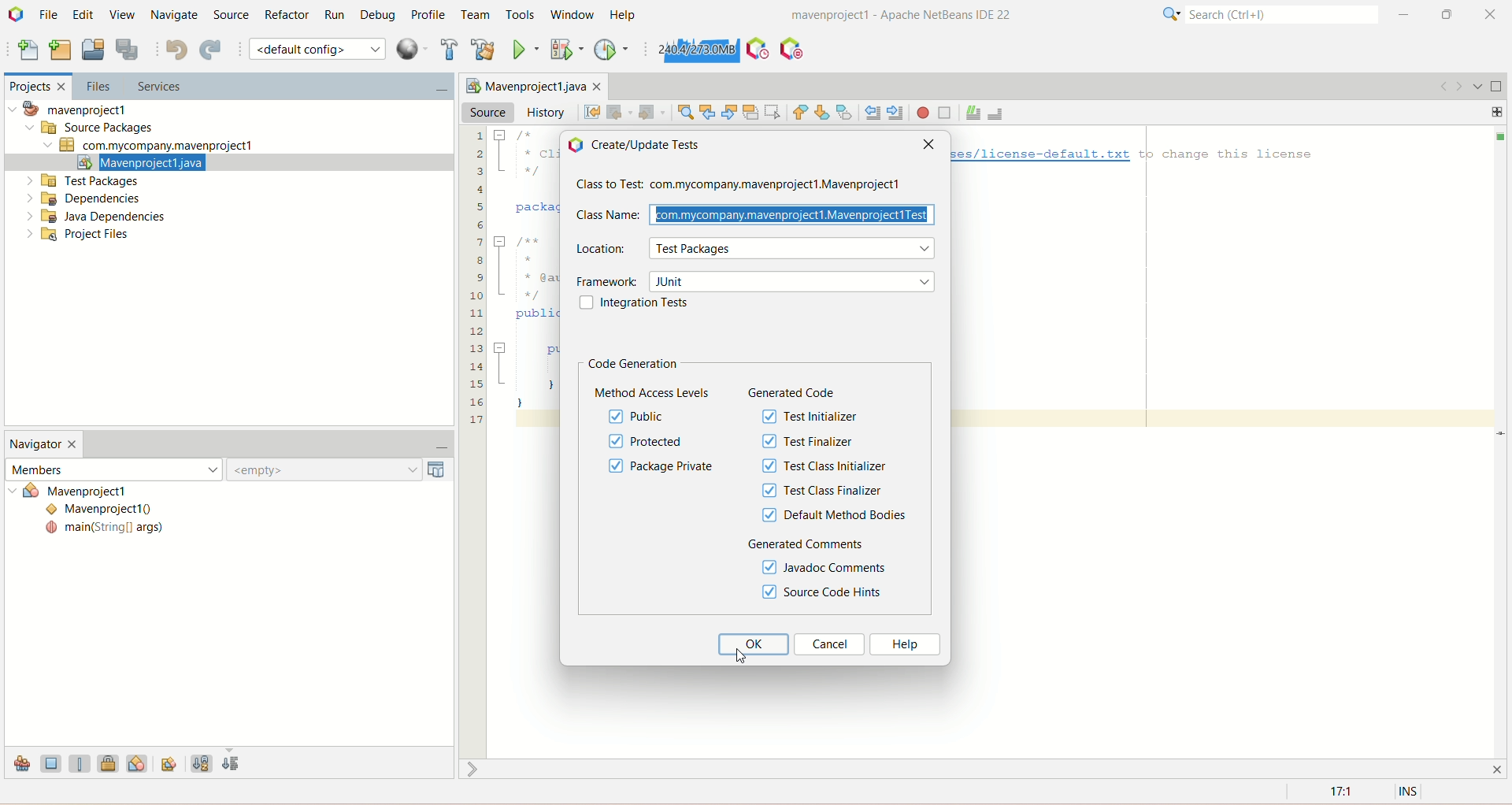  I want to click on location, so click(757, 247).